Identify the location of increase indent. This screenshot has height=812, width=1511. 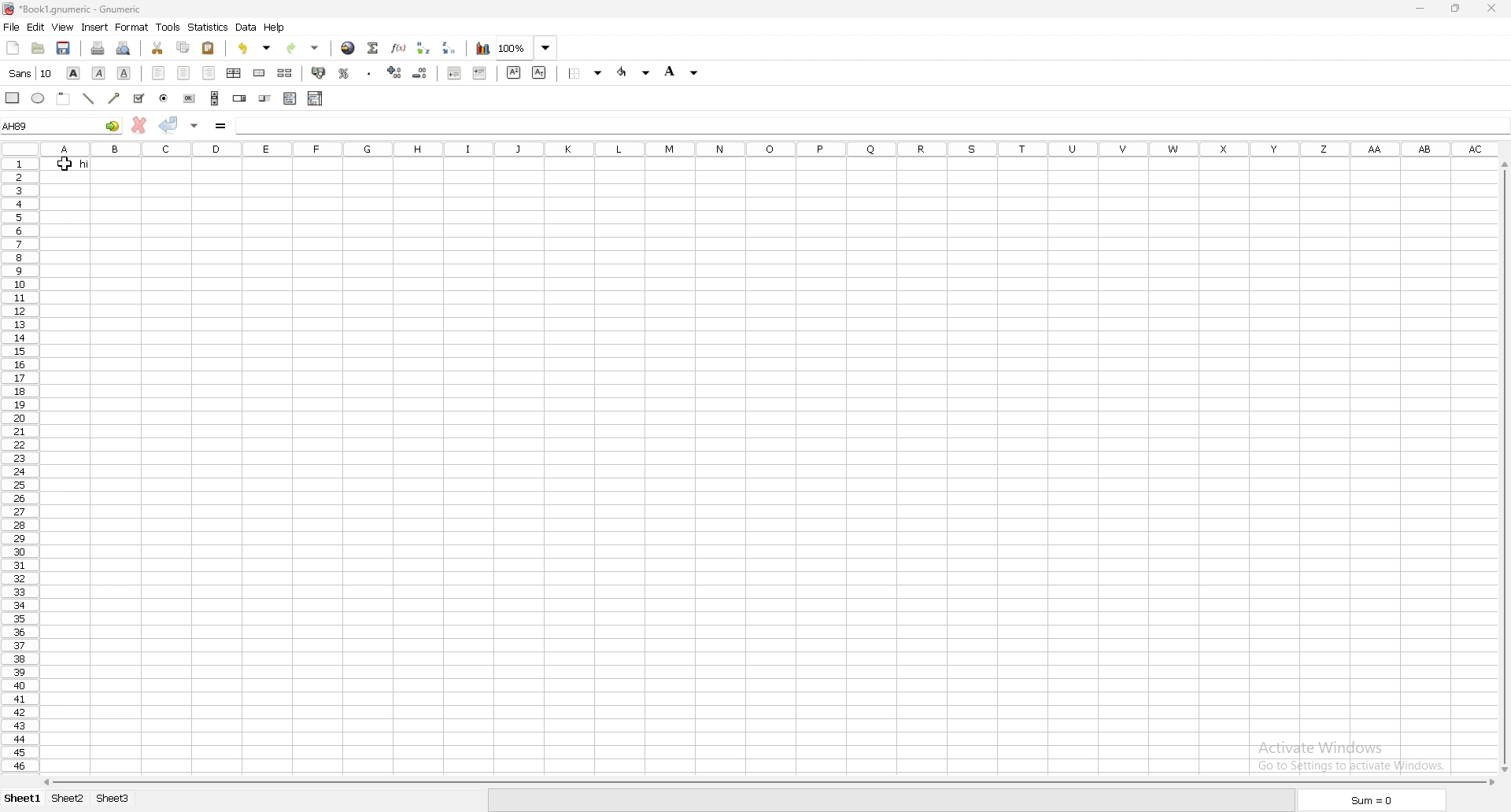
(480, 73).